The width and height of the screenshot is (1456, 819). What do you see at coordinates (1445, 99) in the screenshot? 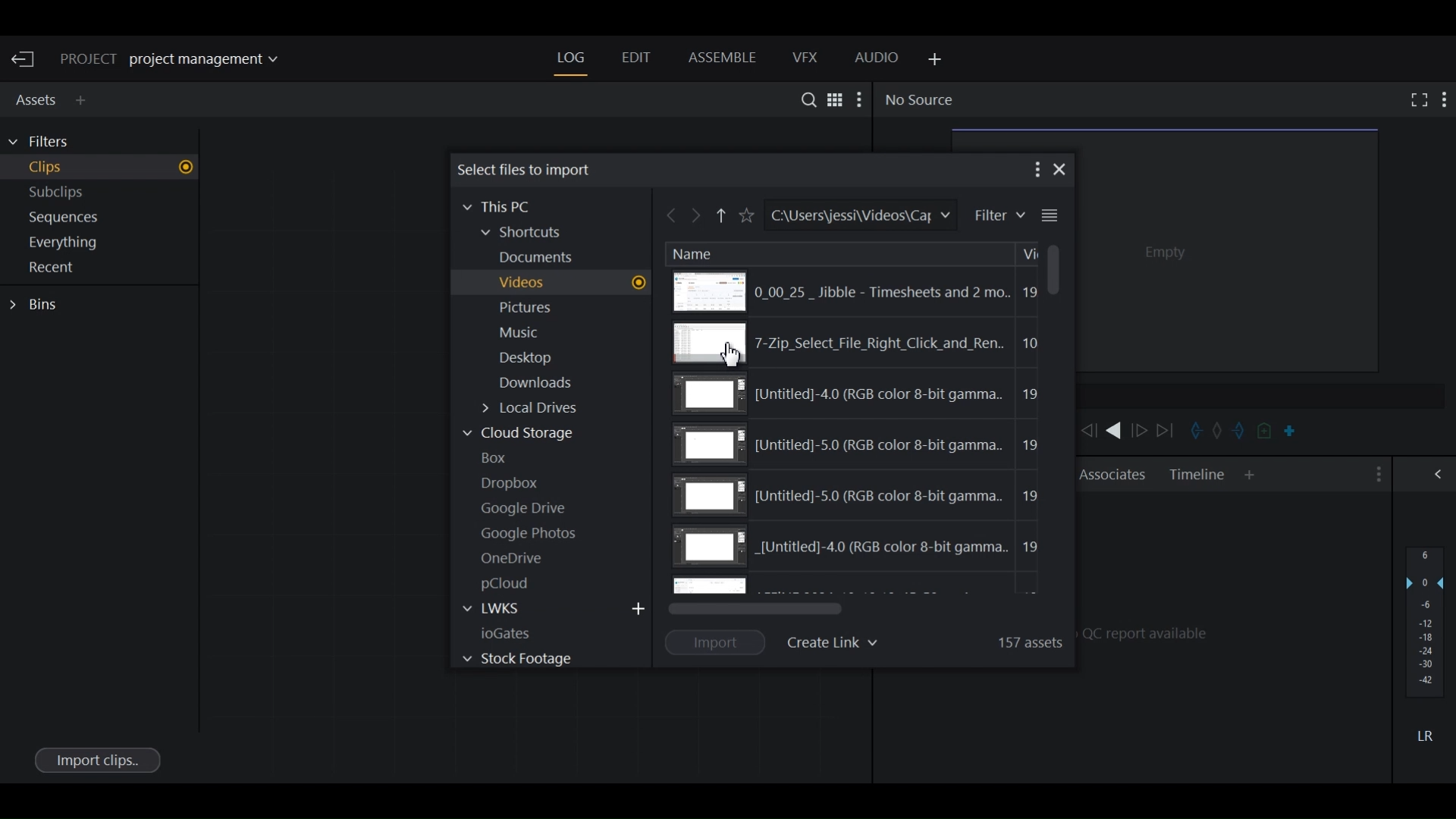
I see `Show settings menu` at bounding box center [1445, 99].